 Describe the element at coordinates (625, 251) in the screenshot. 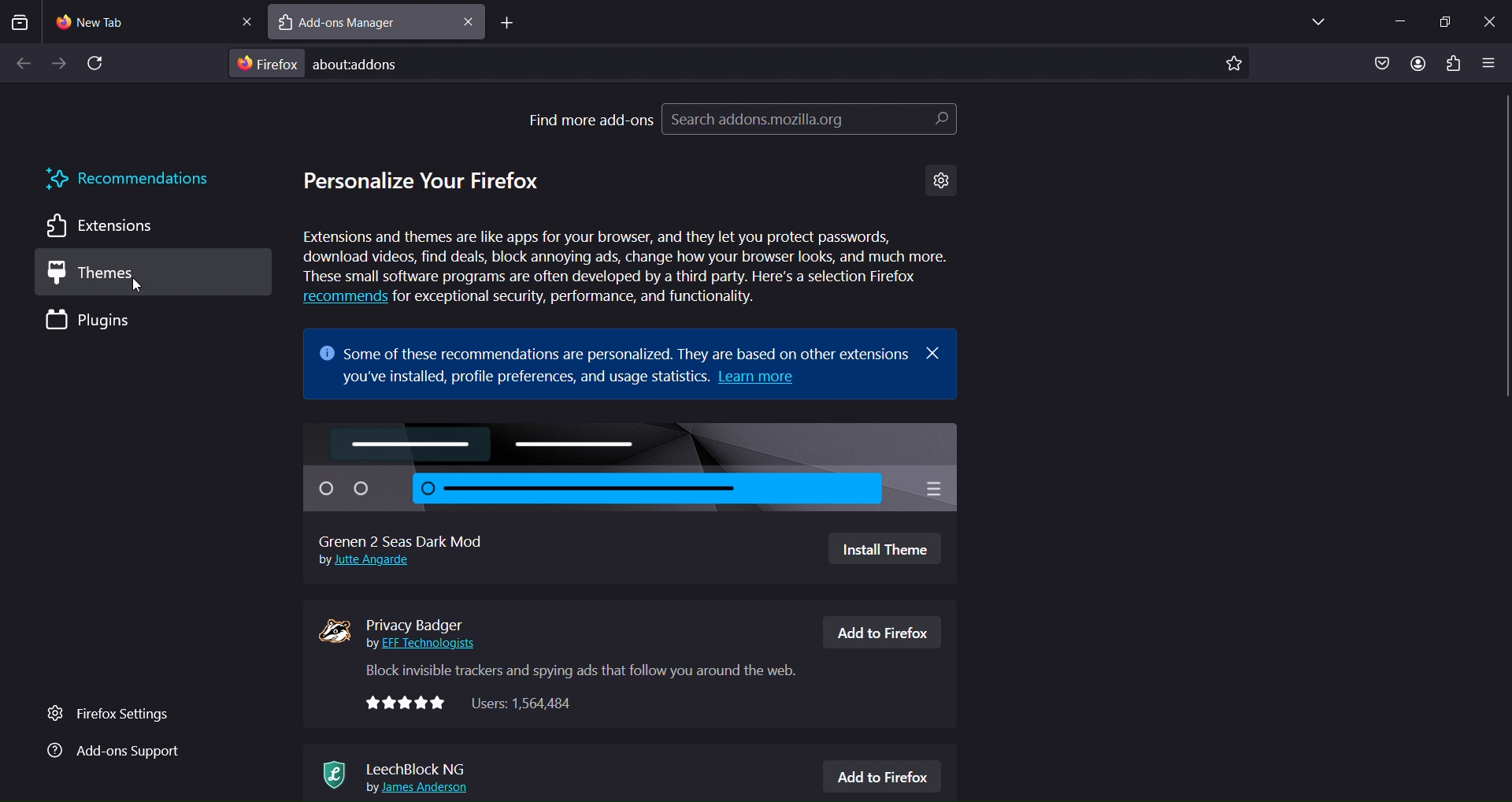

I see `Extensions and themes are like apps for your browser, and they let you protect passwords,
download videos, find deals, block annoying ads, change how your browser looks, and much more.
These small software programs are often developed by a third party. Here's a selection Firefox` at that location.